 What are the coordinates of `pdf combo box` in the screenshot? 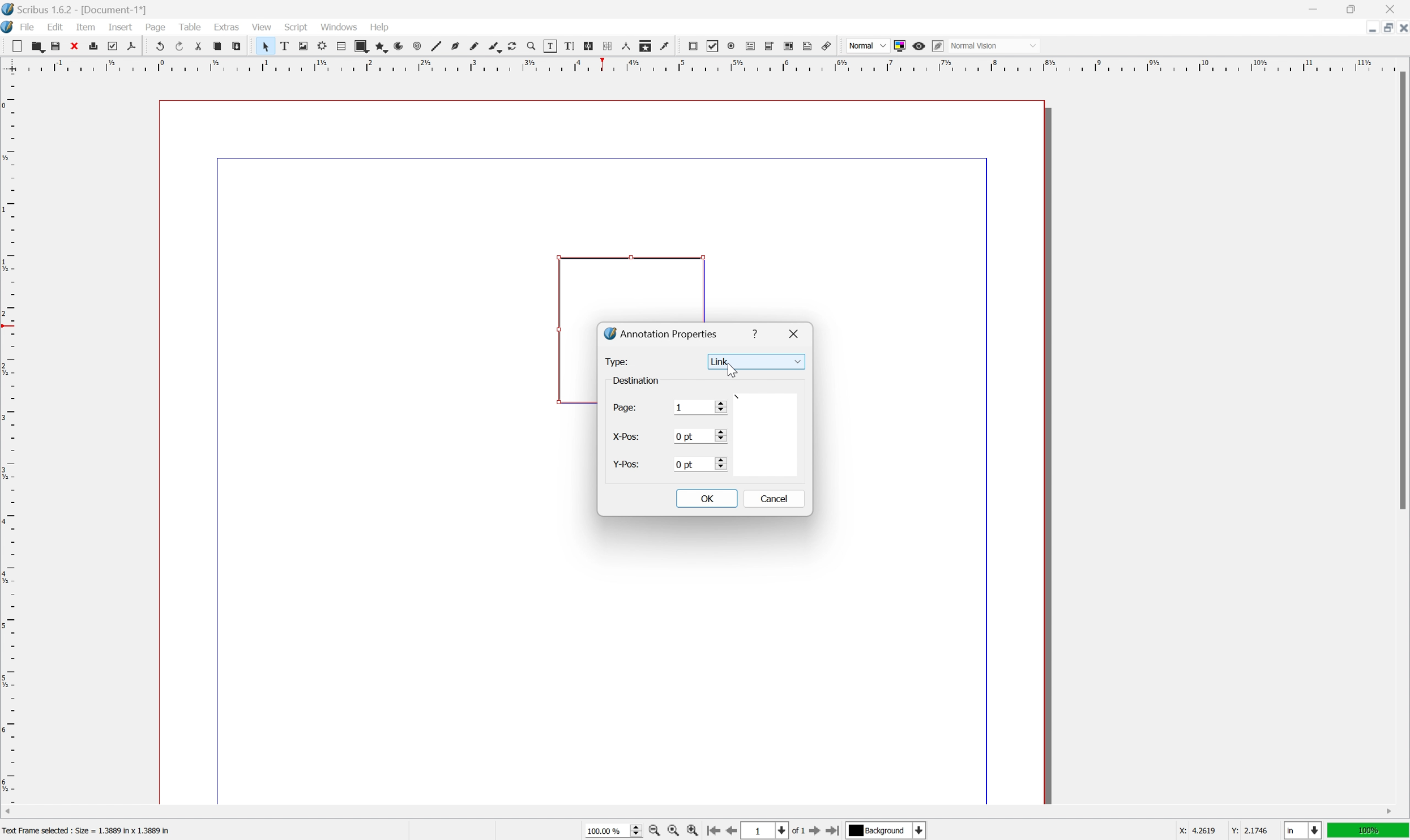 It's located at (770, 46).